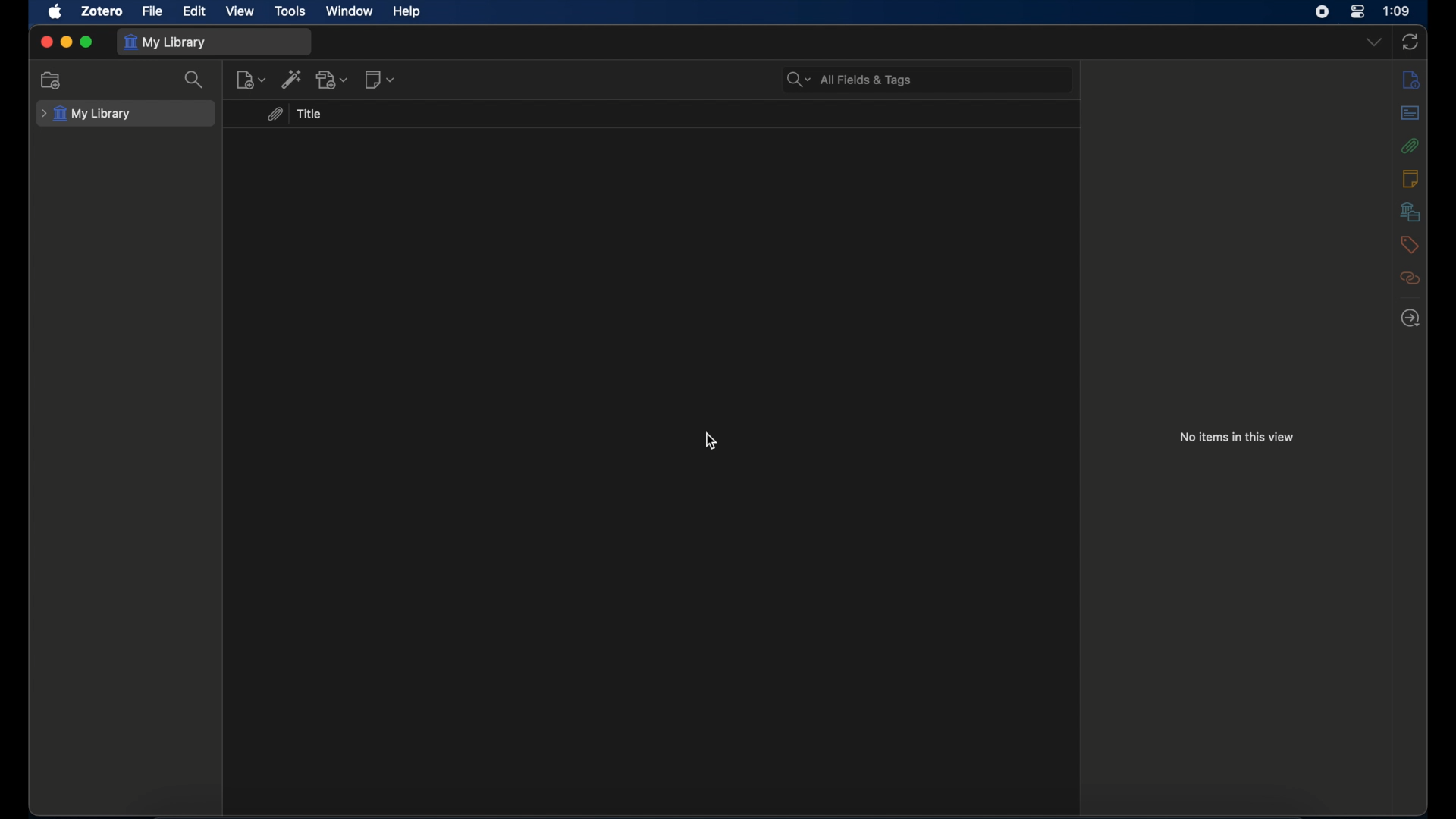  I want to click on apple, so click(56, 12).